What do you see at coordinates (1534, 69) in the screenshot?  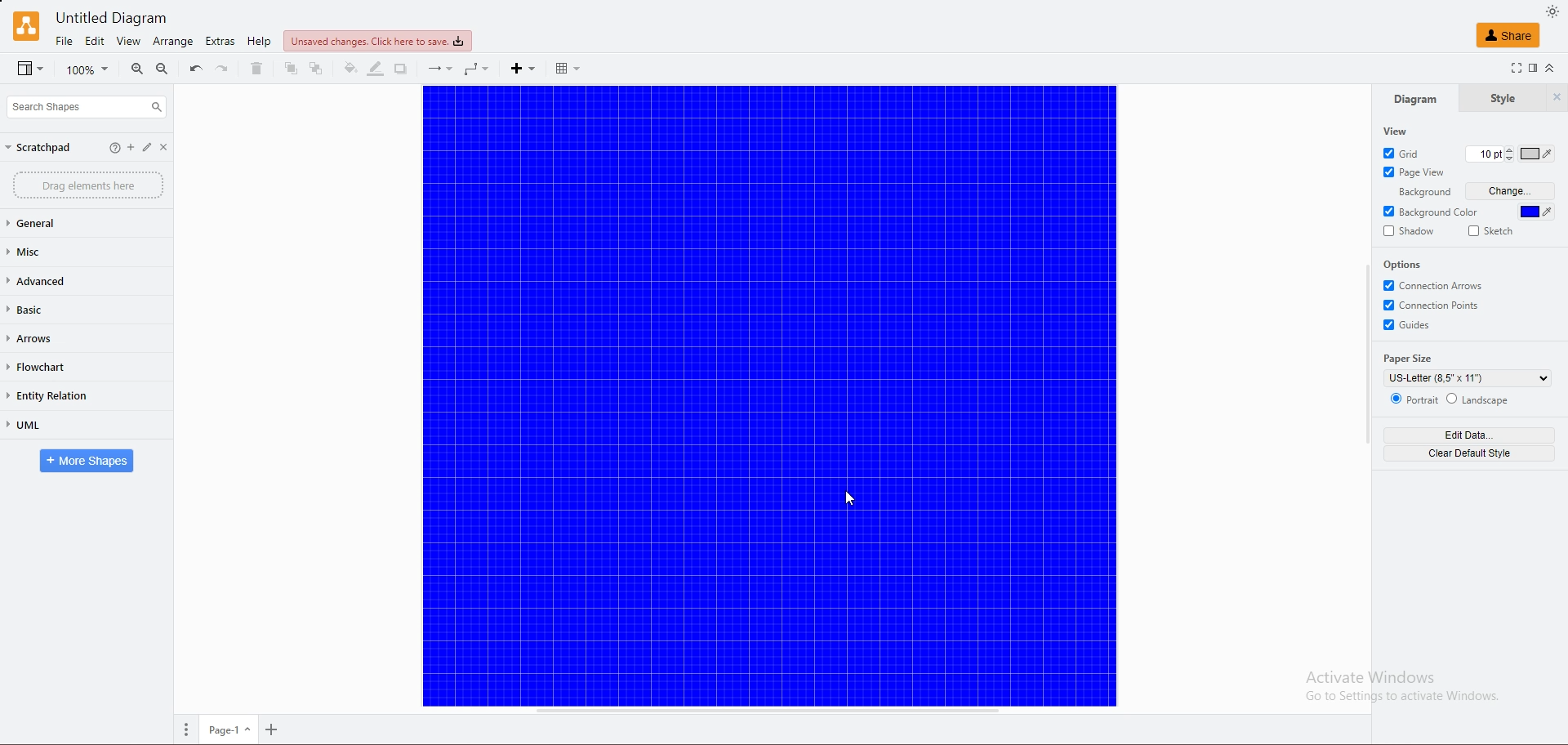 I see `format` at bounding box center [1534, 69].